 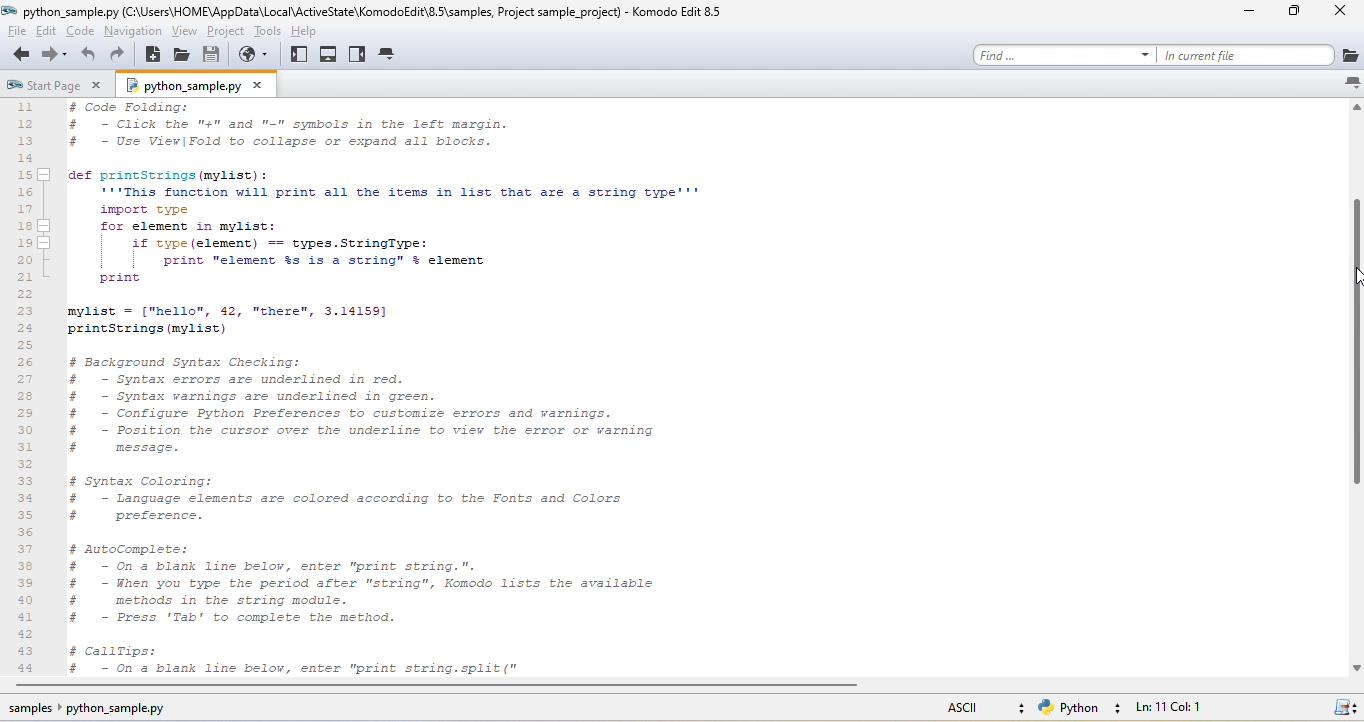 I want to click on undo, so click(x=89, y=55).